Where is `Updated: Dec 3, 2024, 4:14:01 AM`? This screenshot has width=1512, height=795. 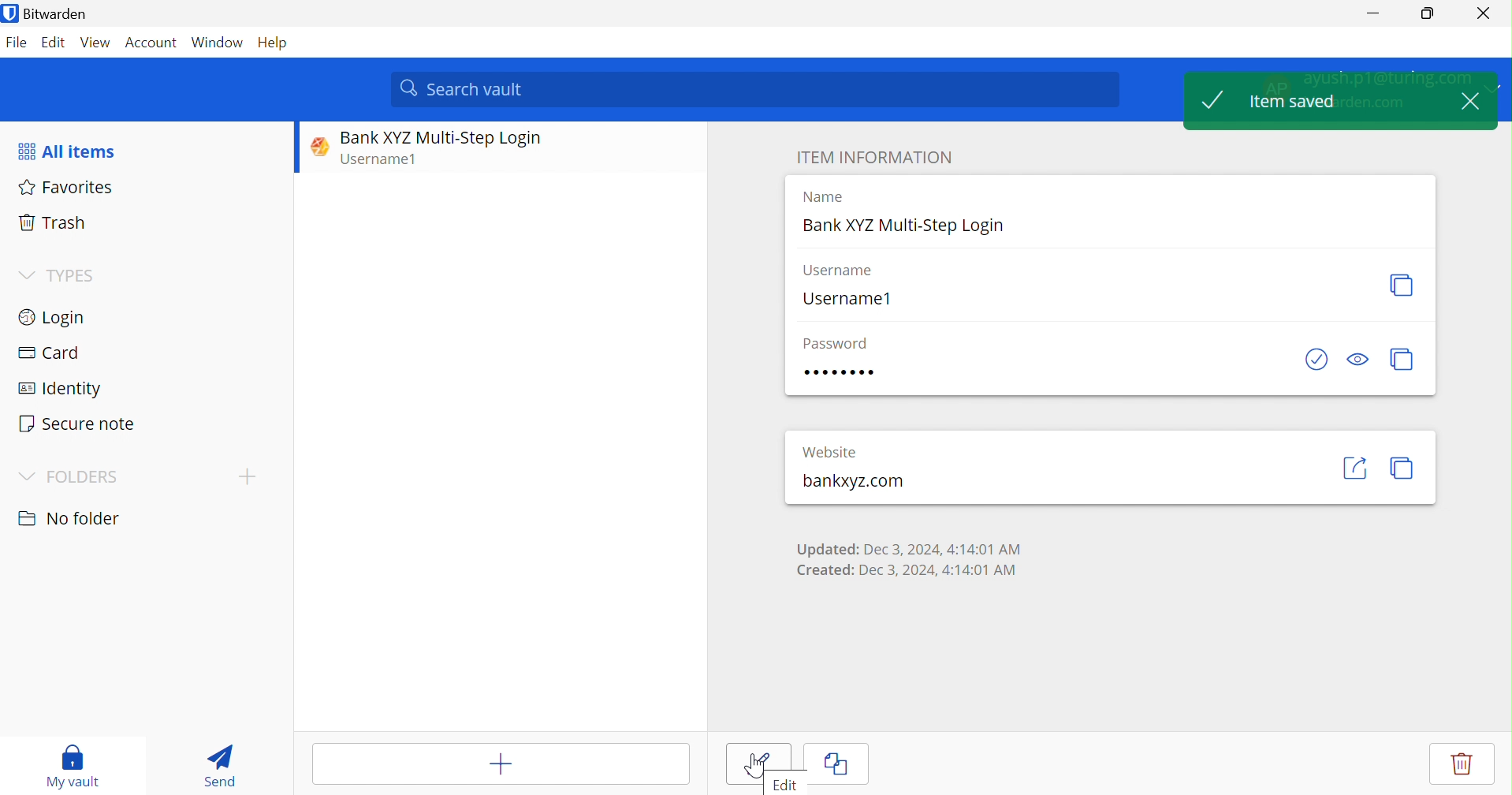 Updated: Dec 3, 2024, 4:14:01 AM is located at coordinates (907, 549).